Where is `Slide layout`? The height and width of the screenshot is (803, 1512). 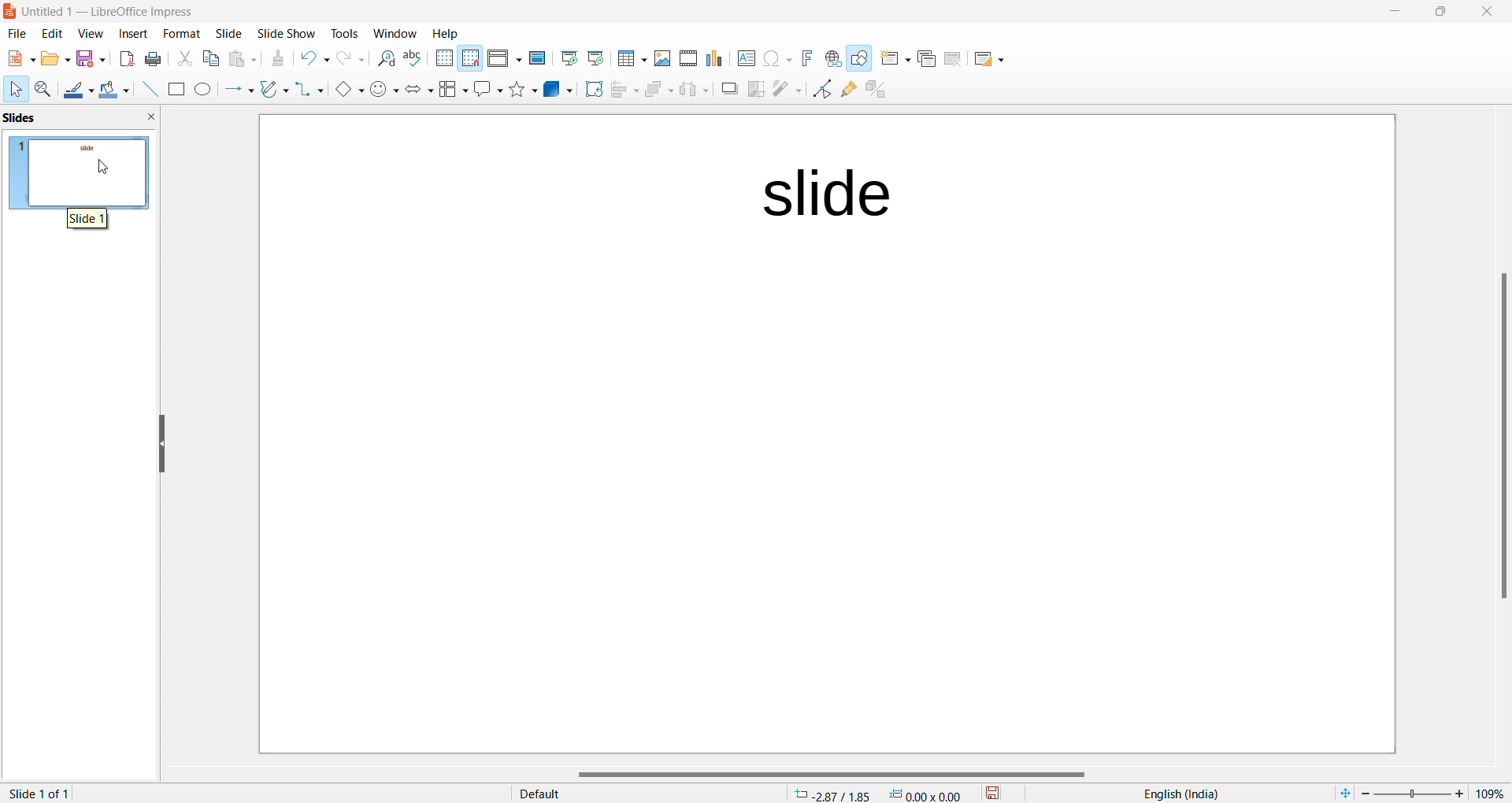
Slide layout is located at coordinates (994, 57).